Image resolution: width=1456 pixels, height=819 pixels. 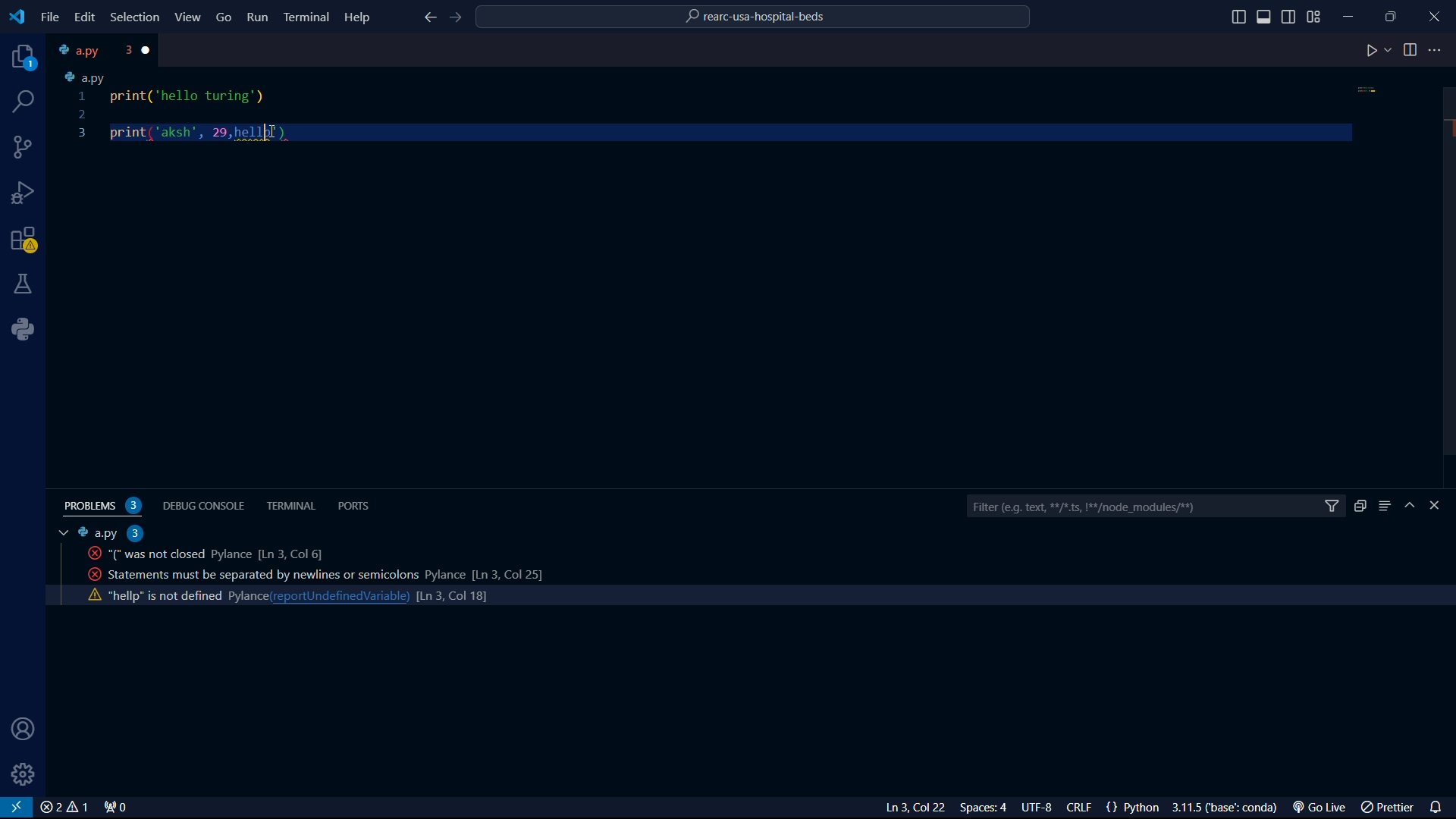 I want to click on Selection, so click(x=137, y=18).